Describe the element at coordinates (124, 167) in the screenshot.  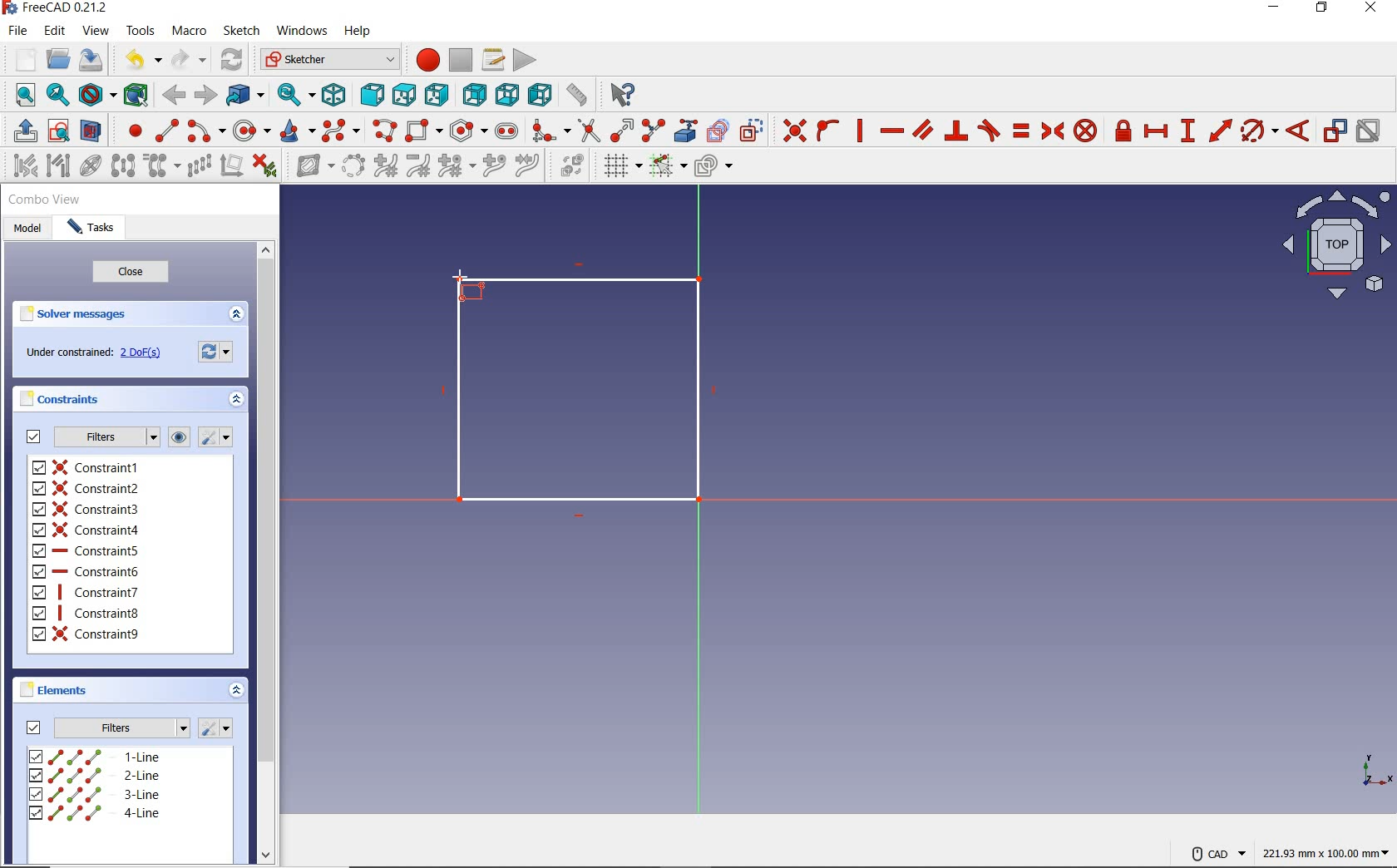
I see `symmetry` at that location.